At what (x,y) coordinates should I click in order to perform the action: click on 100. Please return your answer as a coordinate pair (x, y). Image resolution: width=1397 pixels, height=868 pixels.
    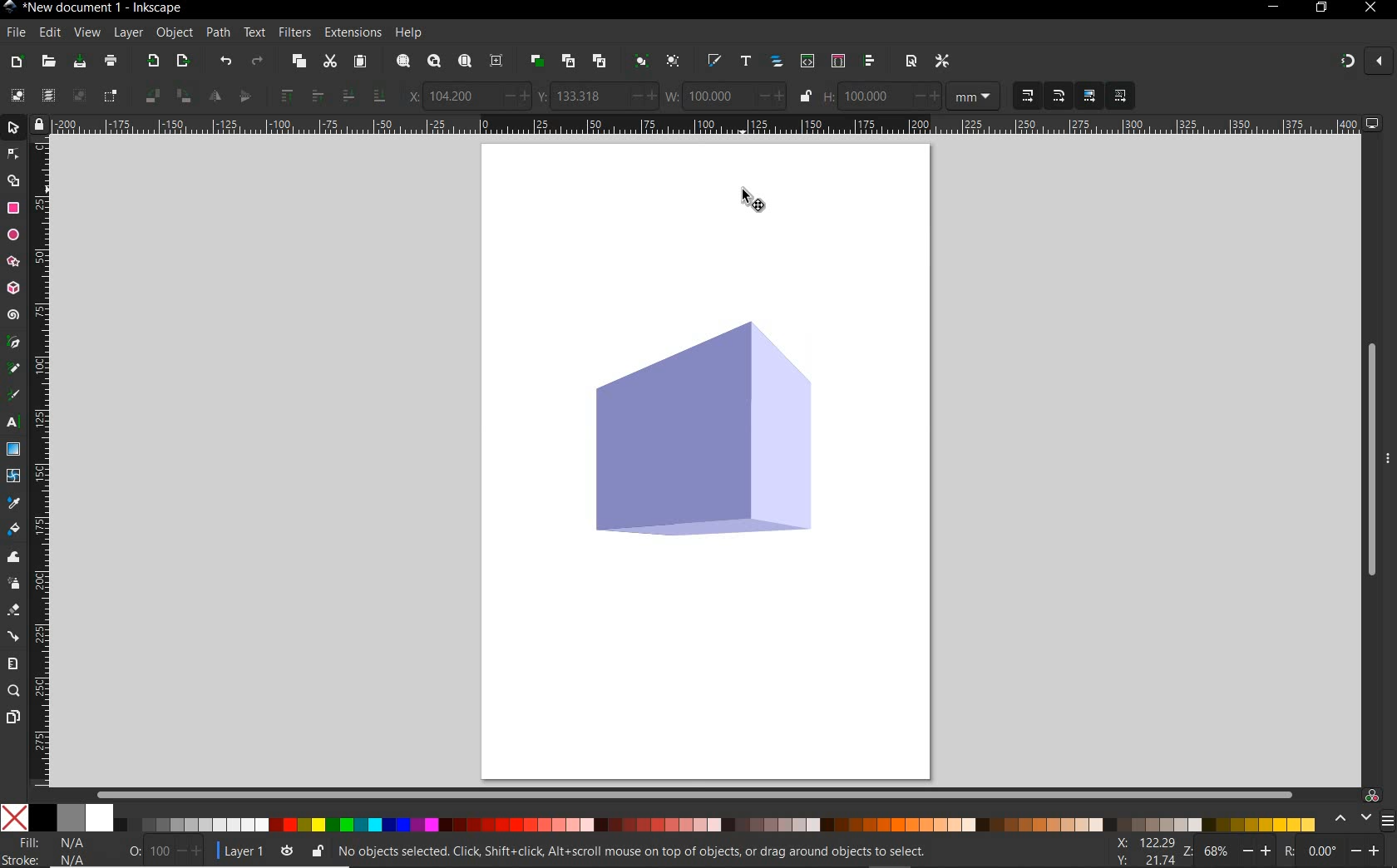
    Looking at the image, I should click on (871, 96).